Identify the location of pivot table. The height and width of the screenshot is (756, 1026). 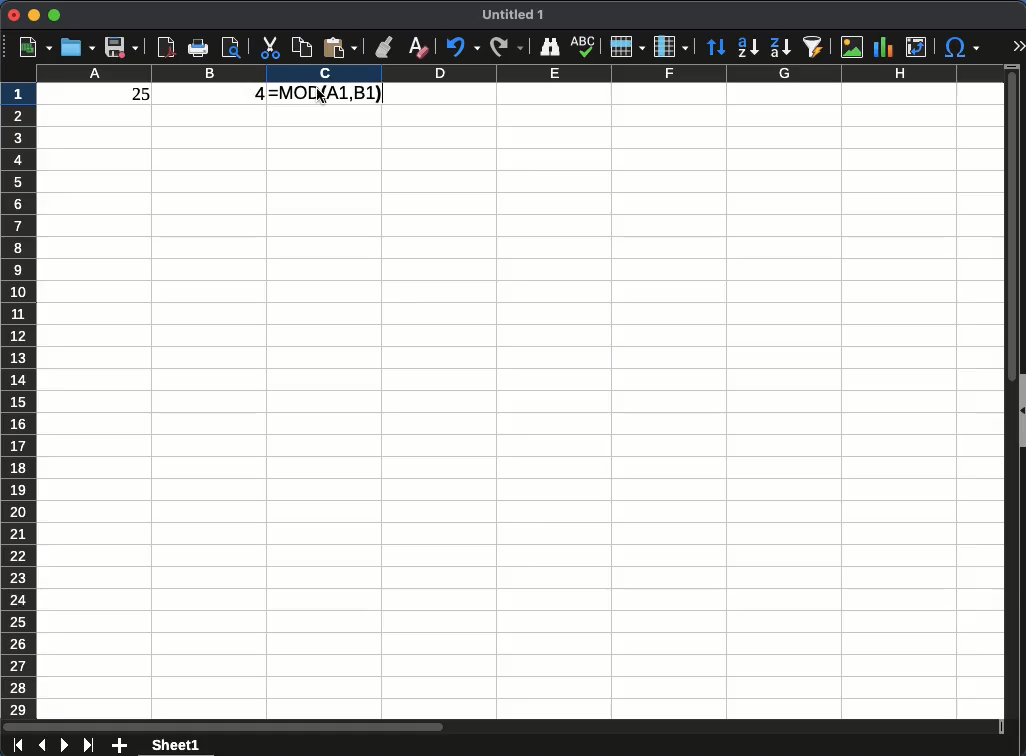
(917, 47).